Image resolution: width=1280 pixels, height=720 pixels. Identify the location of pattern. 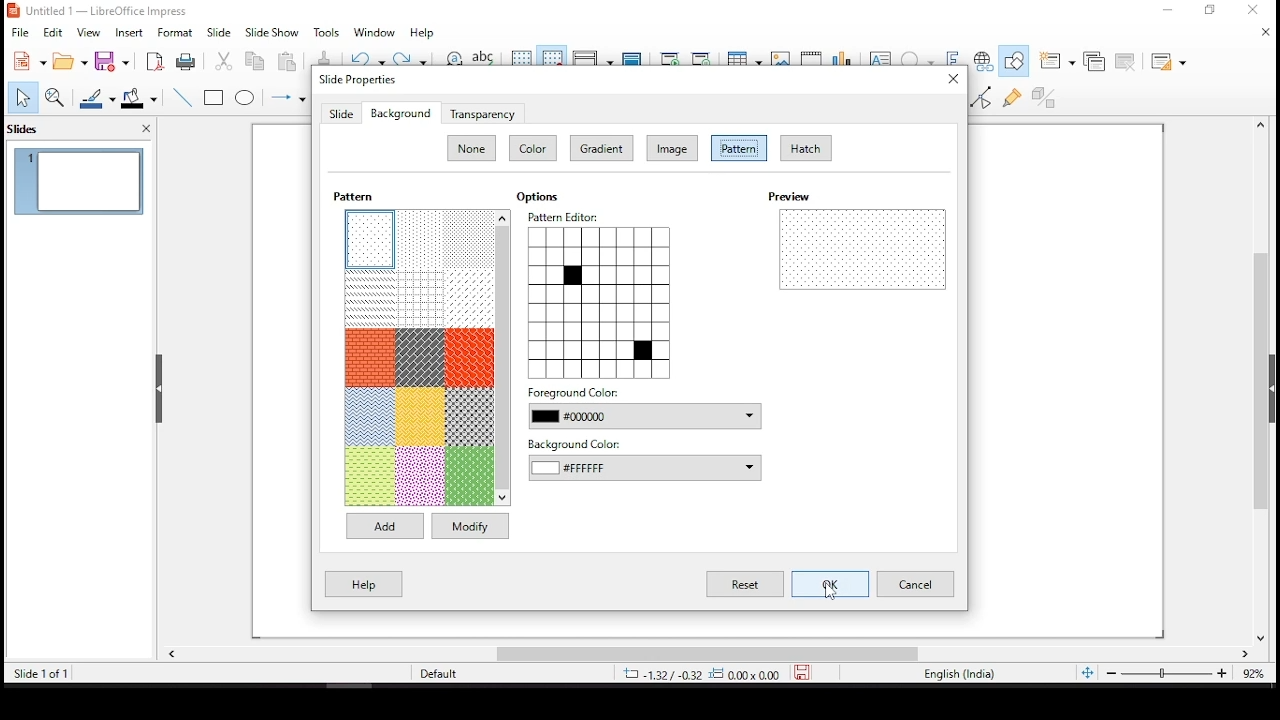
(471, 297).